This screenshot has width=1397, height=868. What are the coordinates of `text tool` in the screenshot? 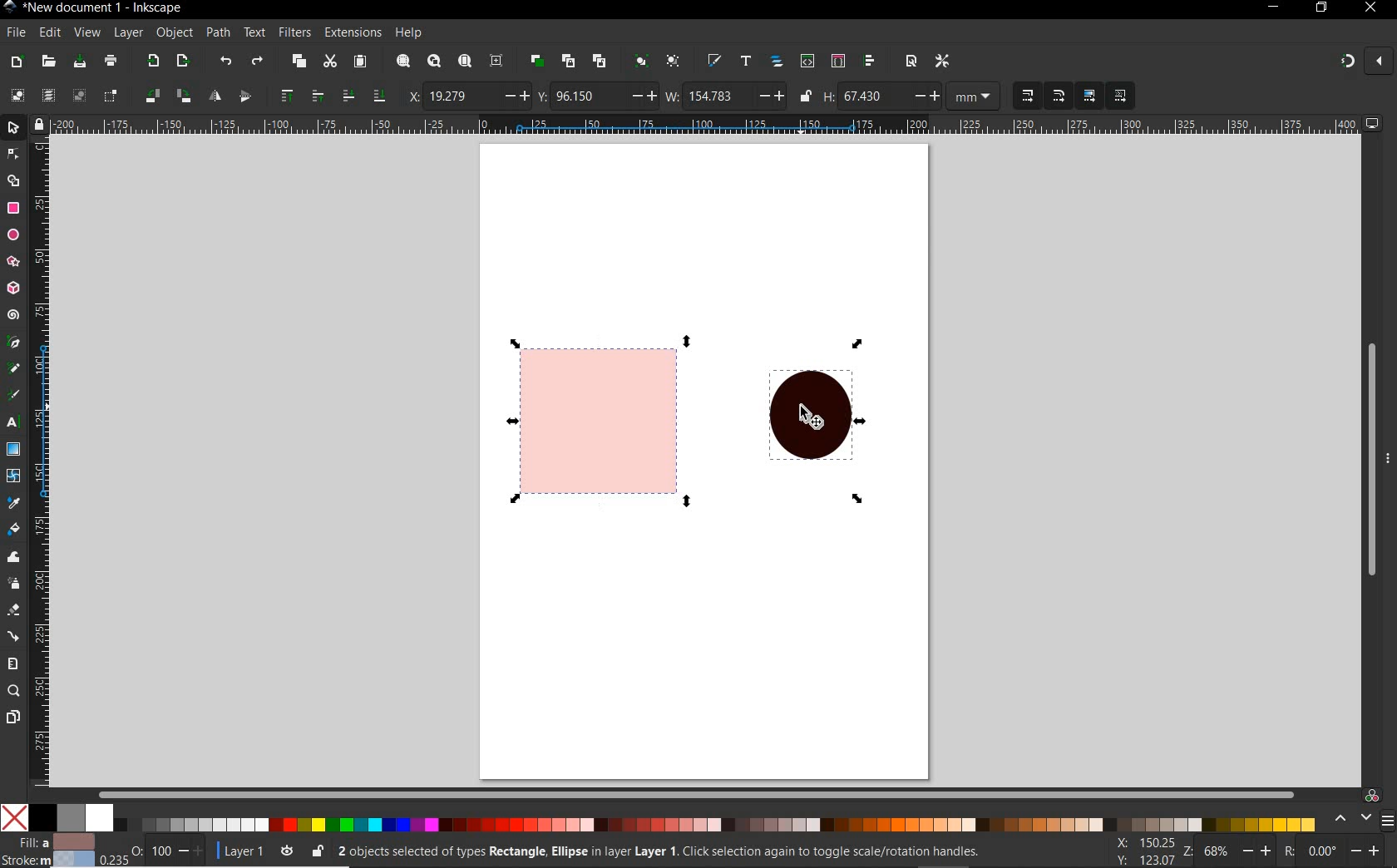 It's located at (11, 423).